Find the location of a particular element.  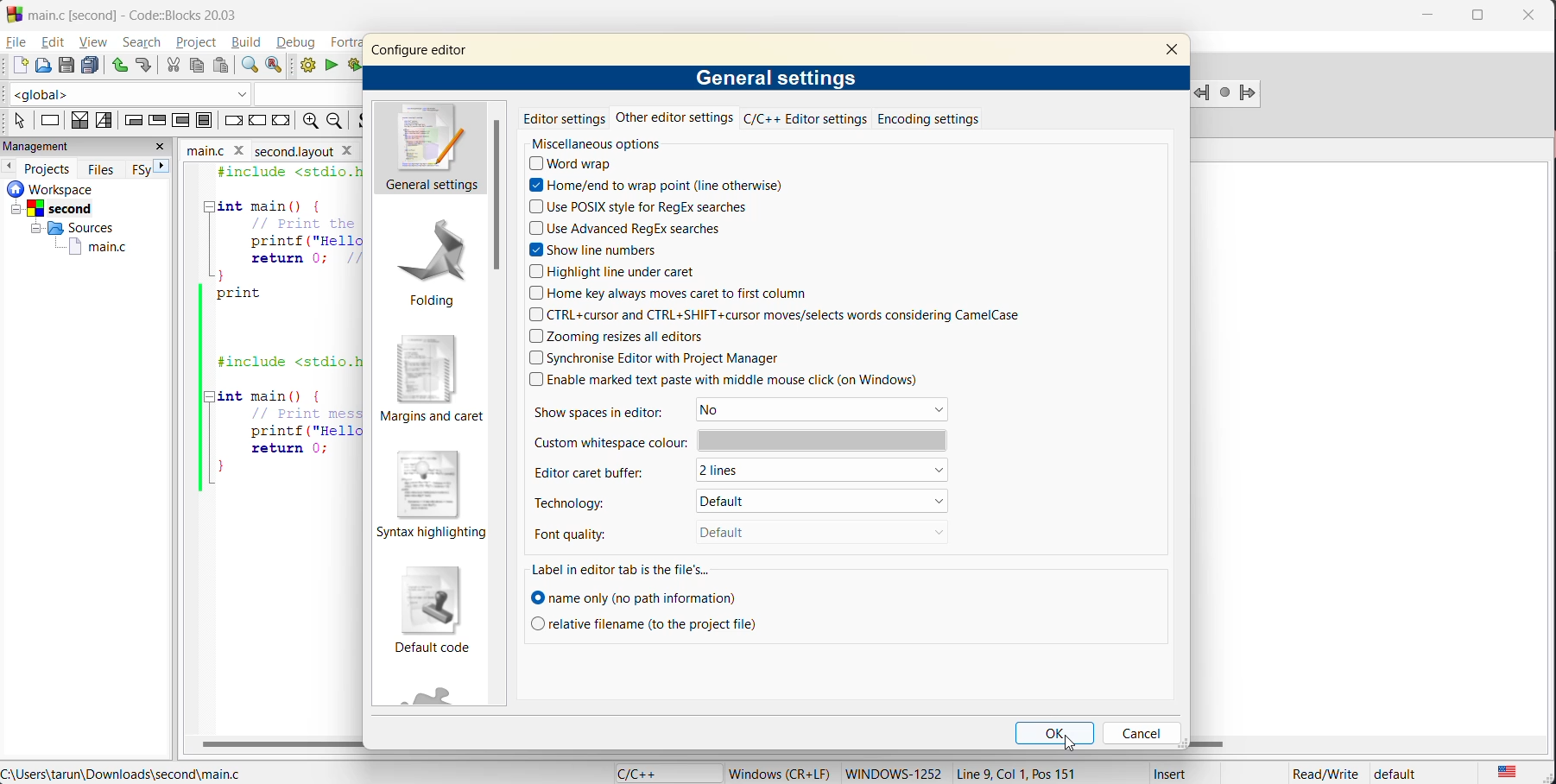

undo is located at coordinates (117, 64).